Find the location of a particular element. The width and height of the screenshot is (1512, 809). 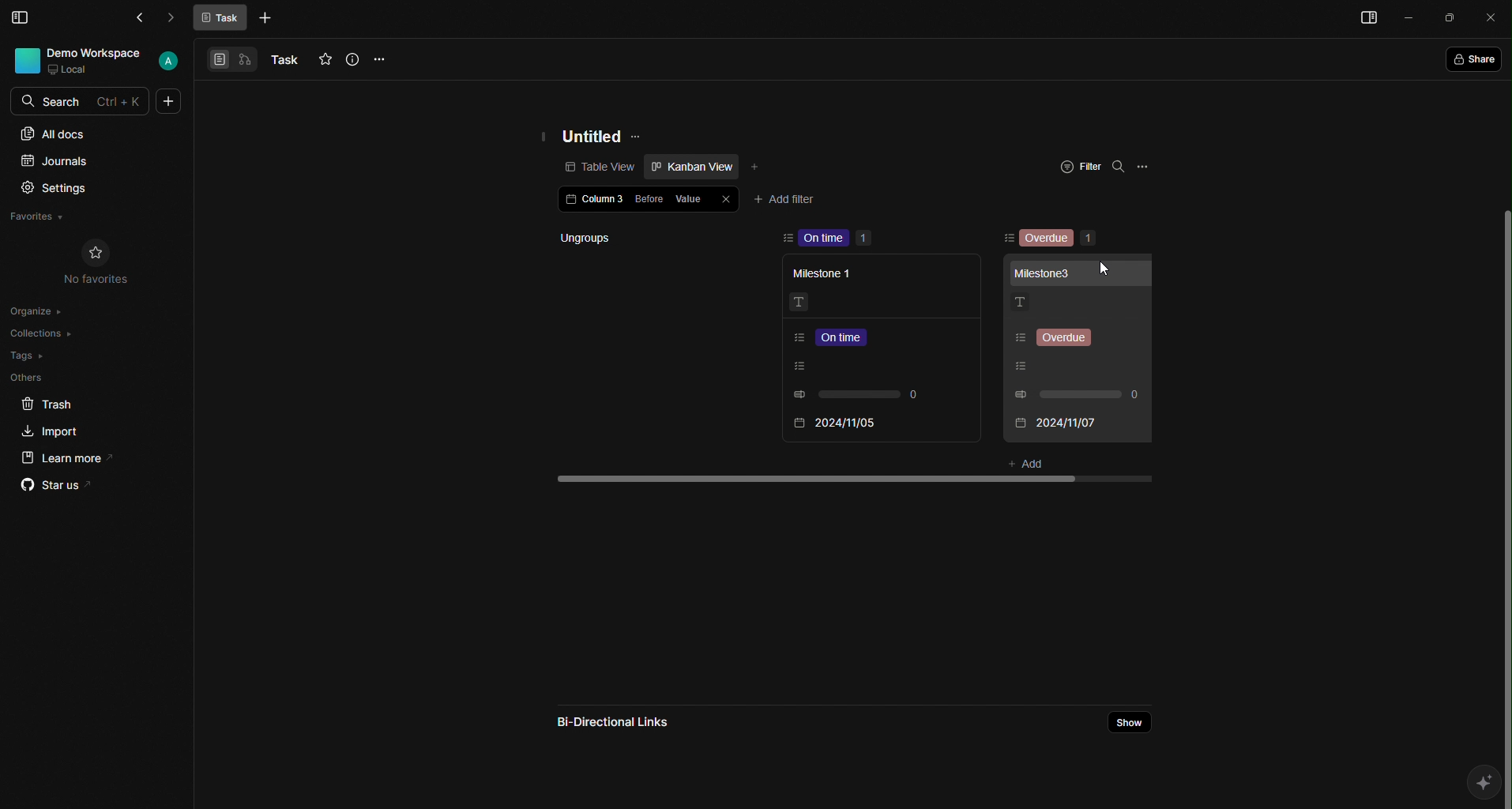

Value is located at coordinates (689, 196).